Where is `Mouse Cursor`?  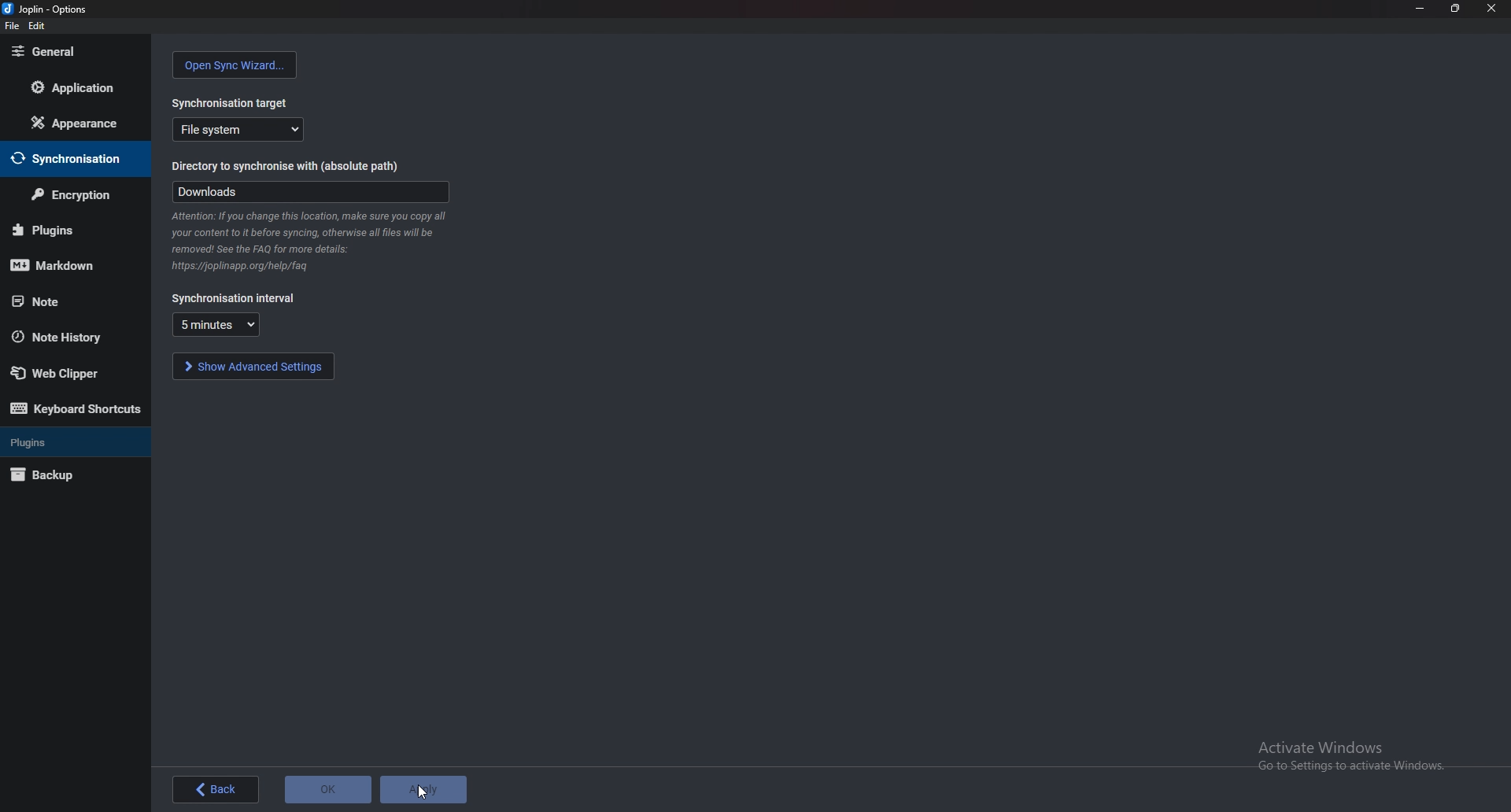
Mouse Cursor is located at coordinates (425, 789).